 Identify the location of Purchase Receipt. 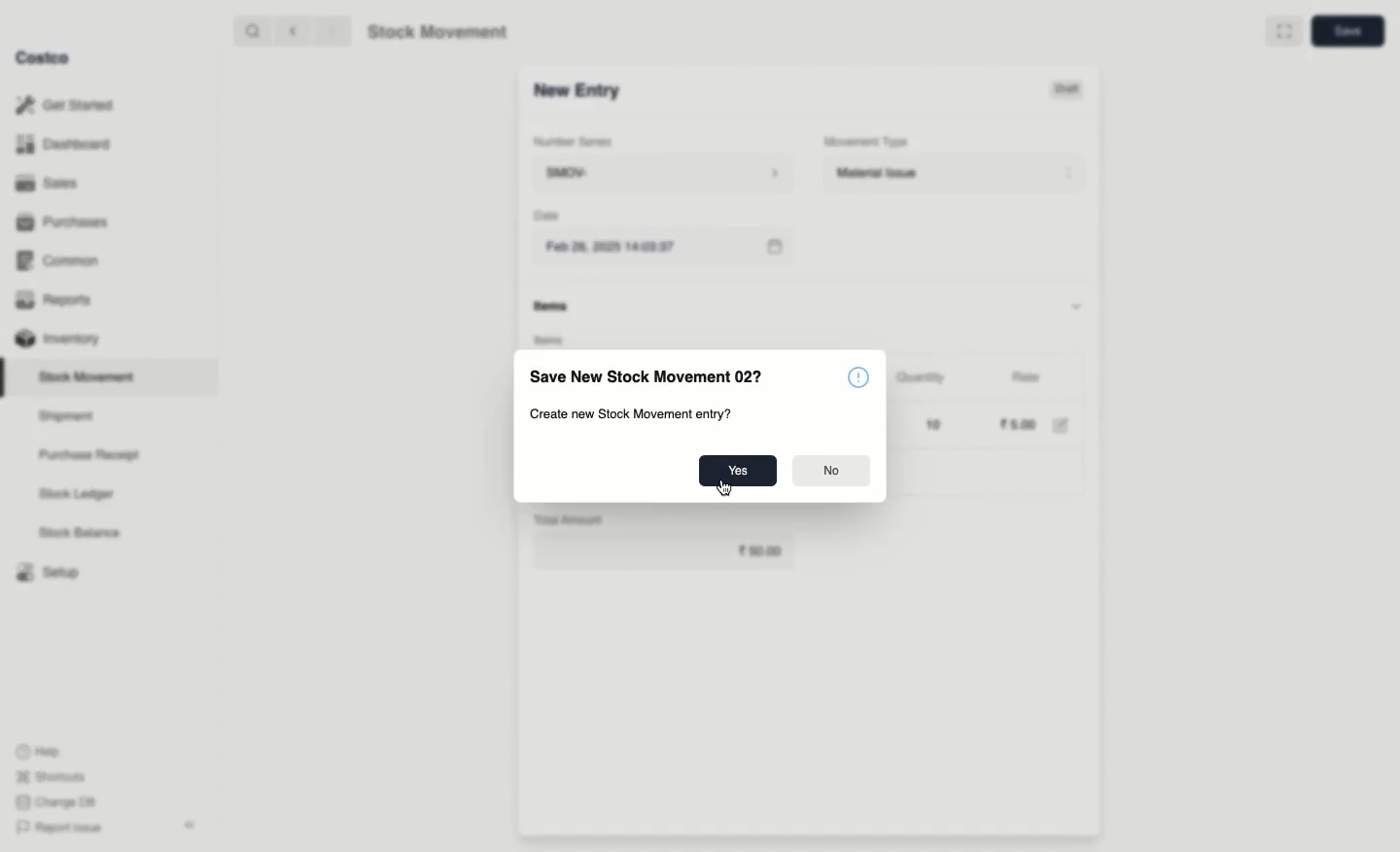
(94, 454).